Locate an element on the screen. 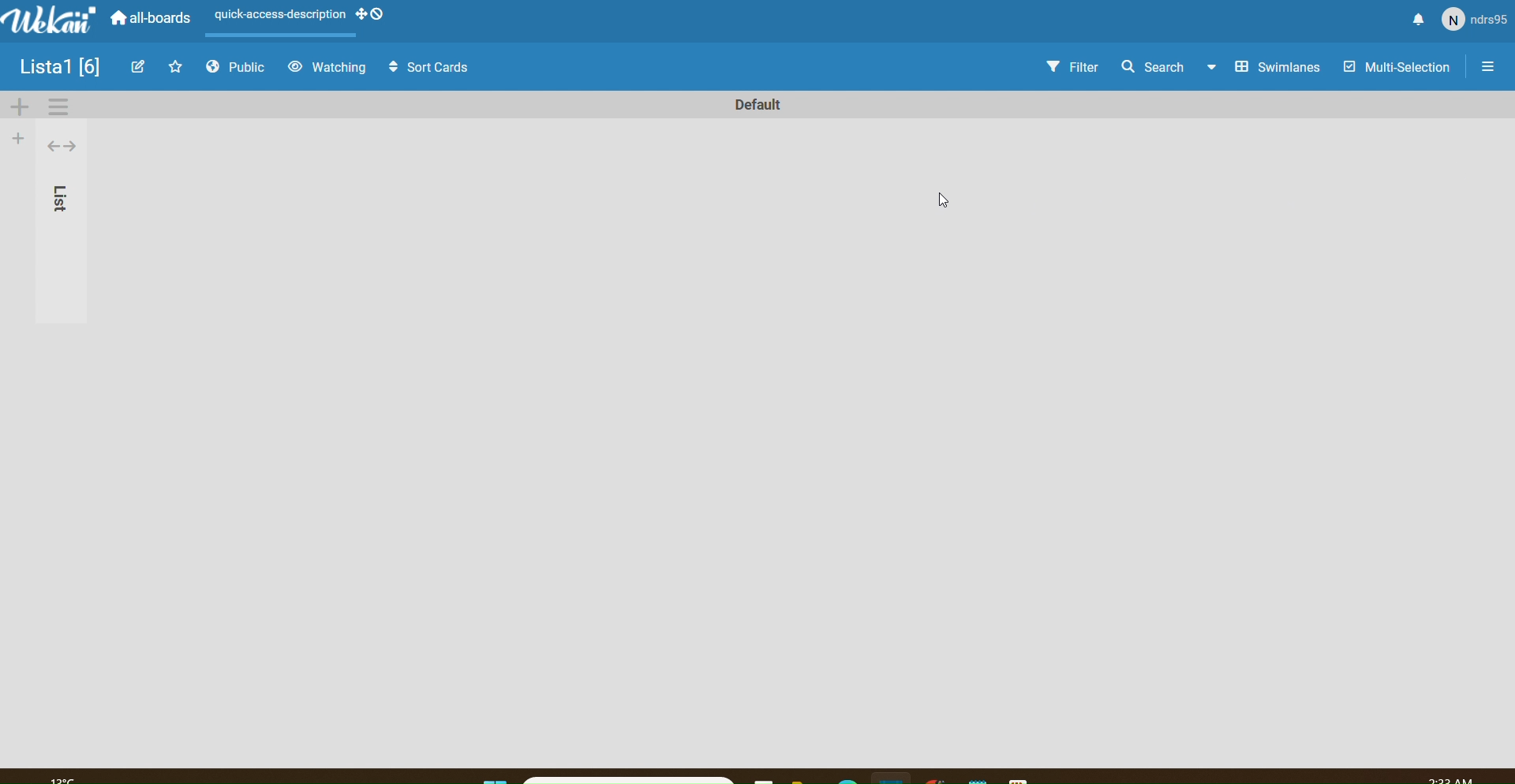 The image size is (1515, 784). Add is located at coordinates (18, 106).